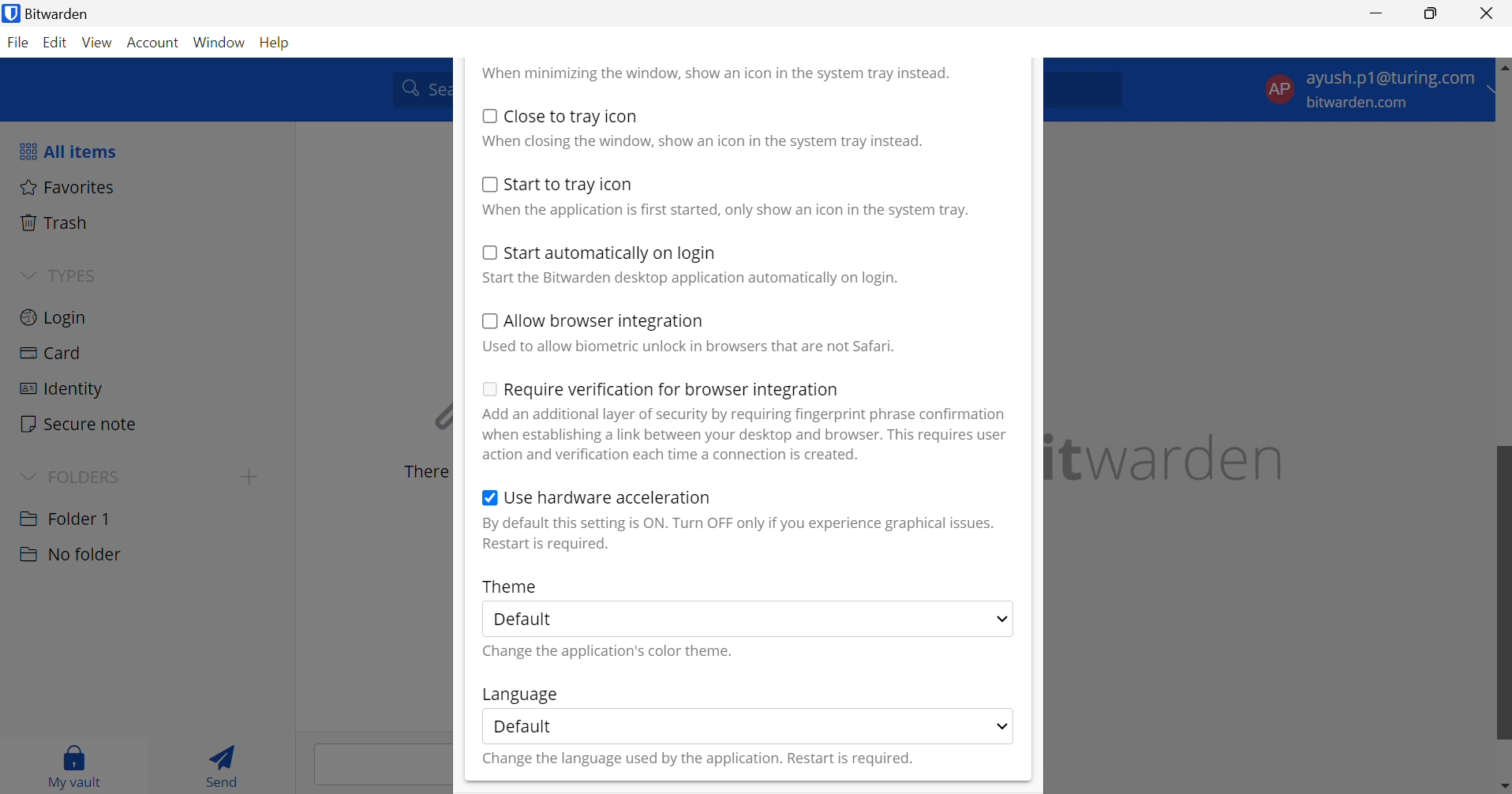 Image resolution: width=1512 pixels, height=794 pixels. Describe the element at coordinates (673, 455) in the screenshot. I see `action and verification each time a connection is created.` at that location.